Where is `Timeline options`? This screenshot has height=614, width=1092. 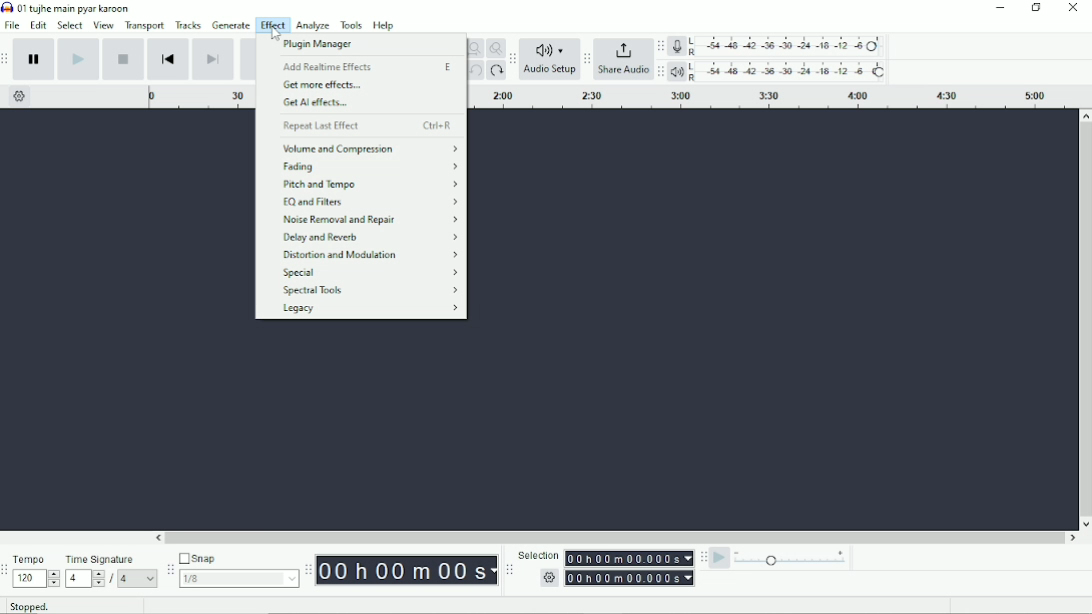
Timeline options is located at coordinates (20, 97).